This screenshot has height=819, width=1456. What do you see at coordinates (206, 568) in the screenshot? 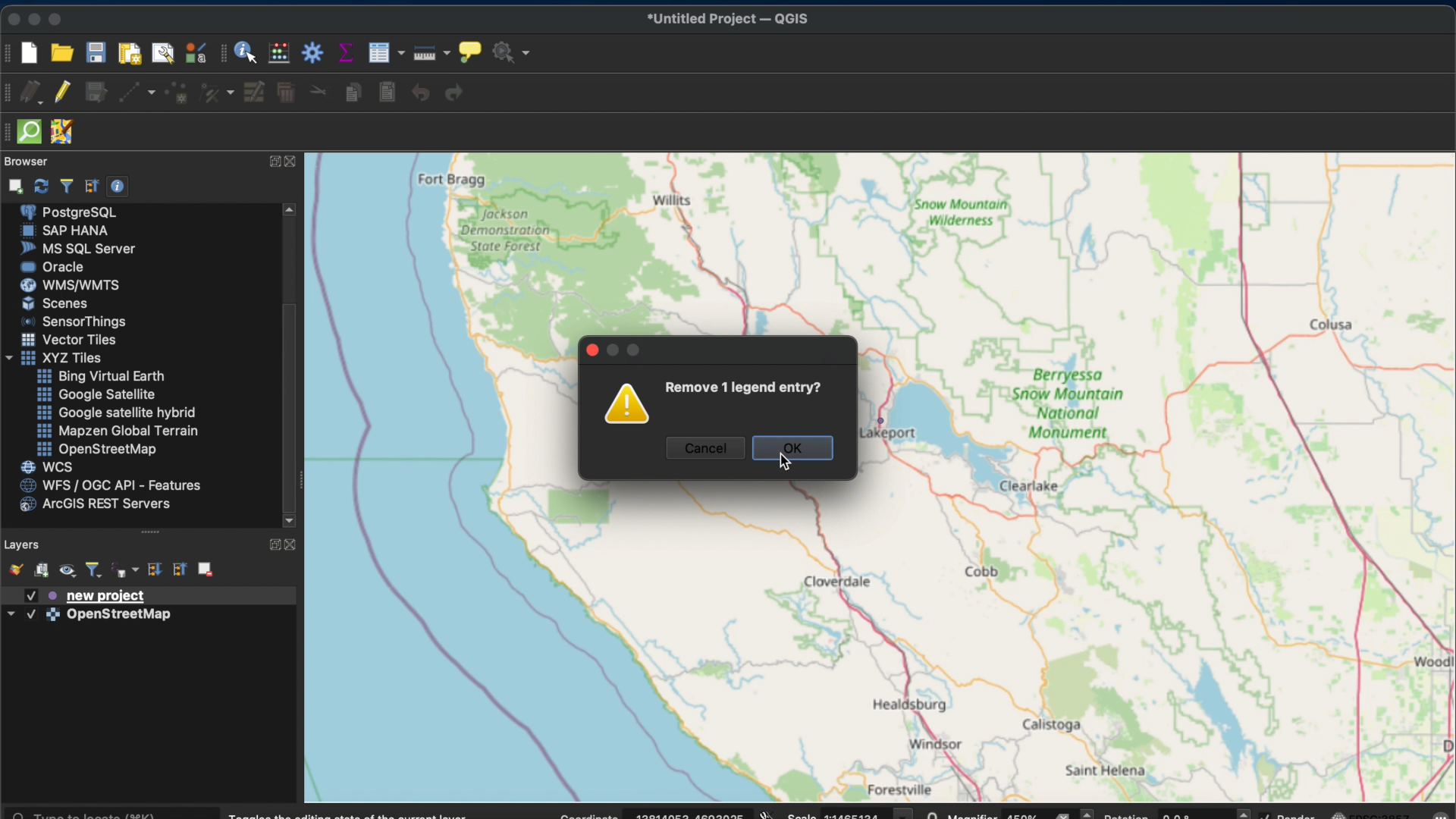
I see `remove layer group` at bounding box center [206, 568].